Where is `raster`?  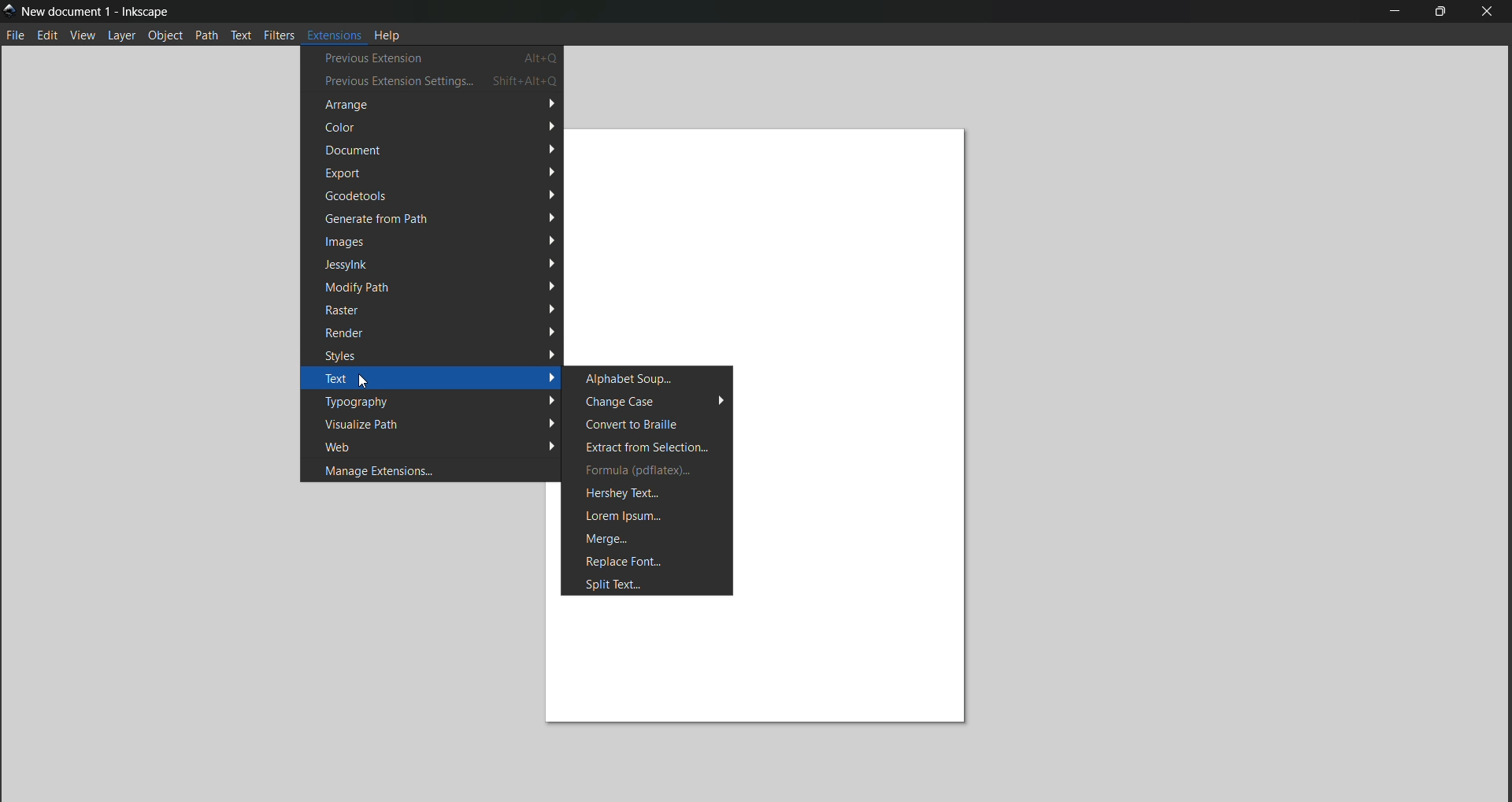
raster is located at coordinates (437, 310).